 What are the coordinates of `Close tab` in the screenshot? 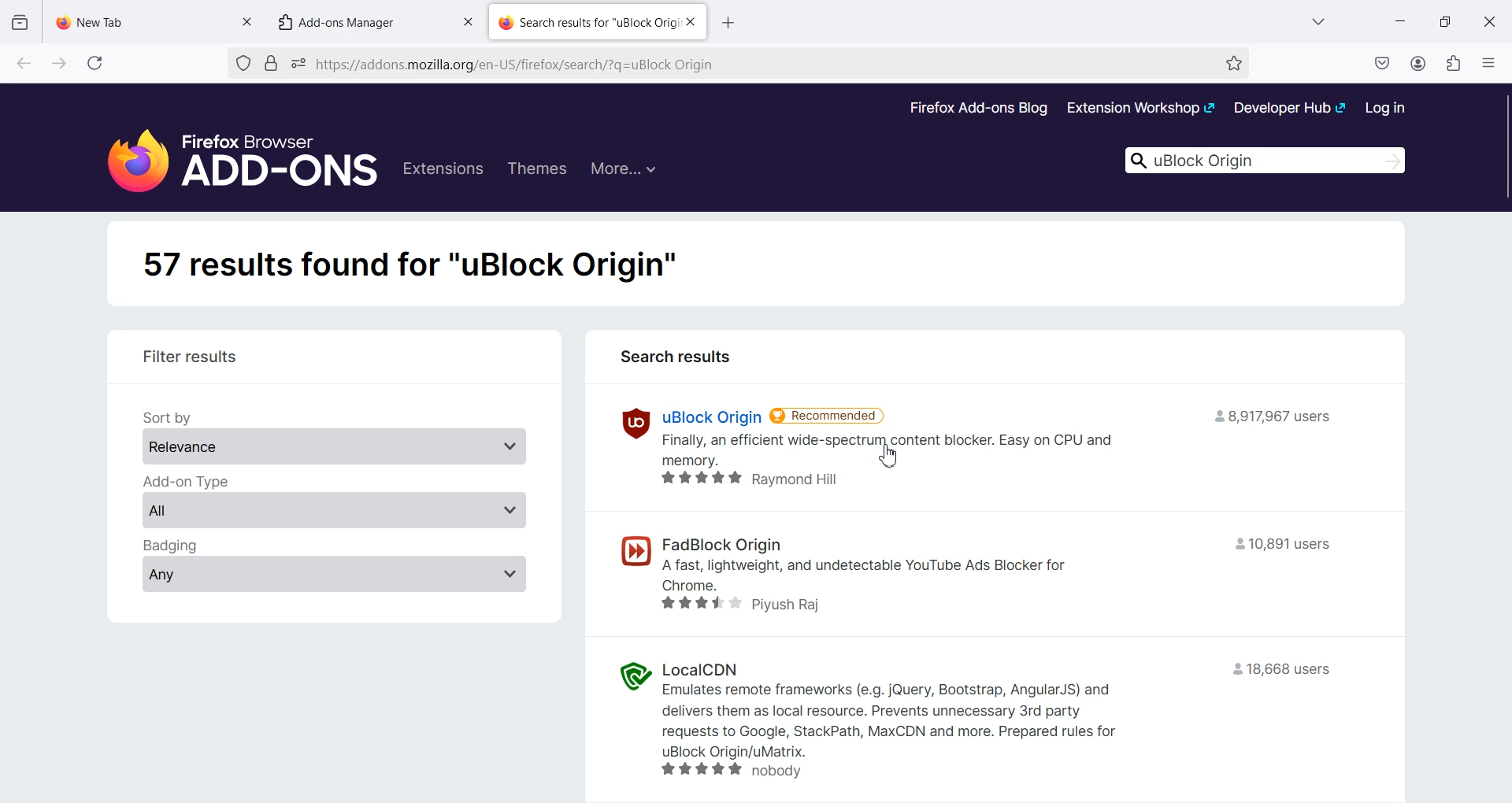 It's located at (246, 20).